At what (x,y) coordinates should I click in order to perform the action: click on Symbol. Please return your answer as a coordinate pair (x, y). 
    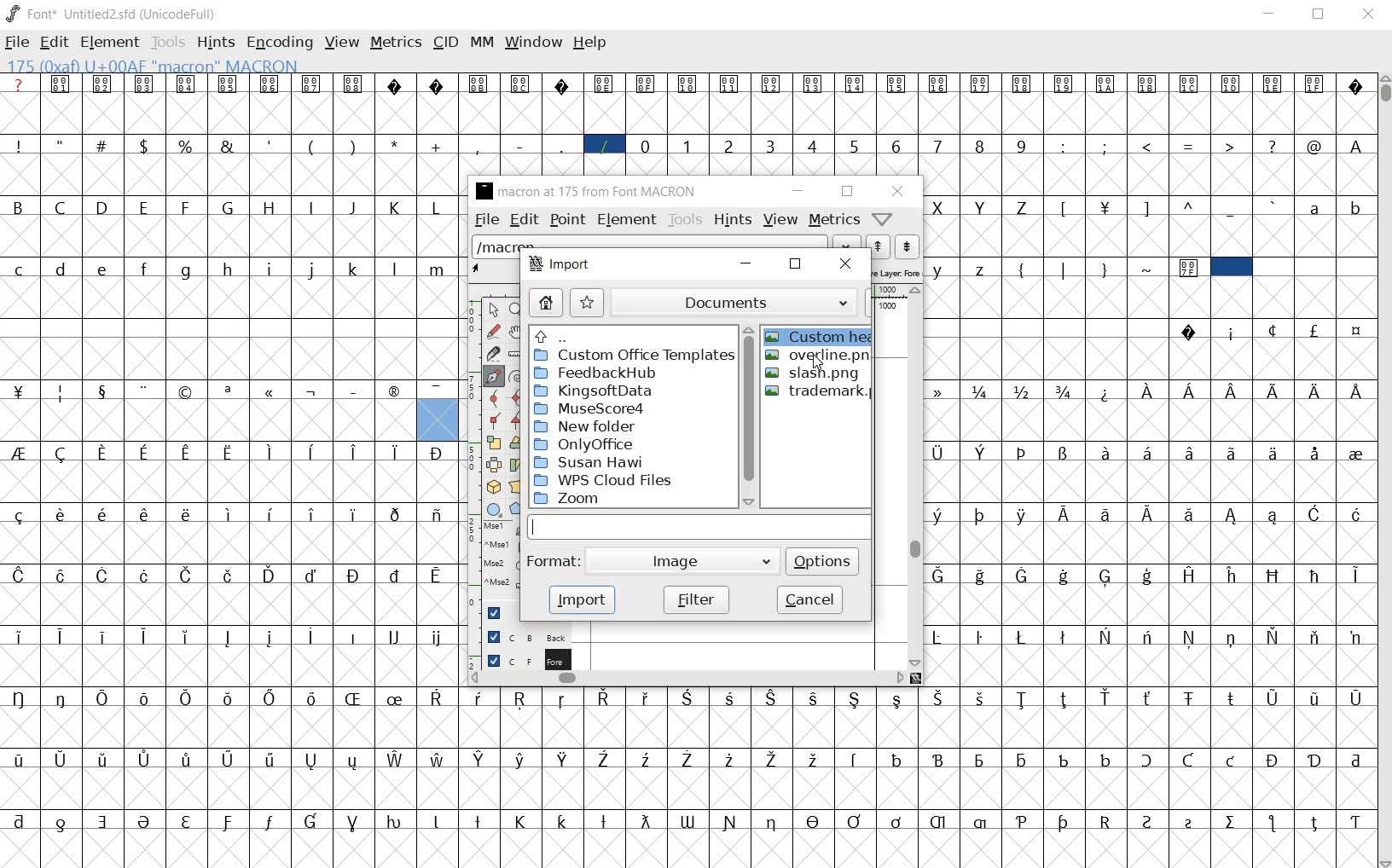
    Looking at the image, I should click on (983, 84).